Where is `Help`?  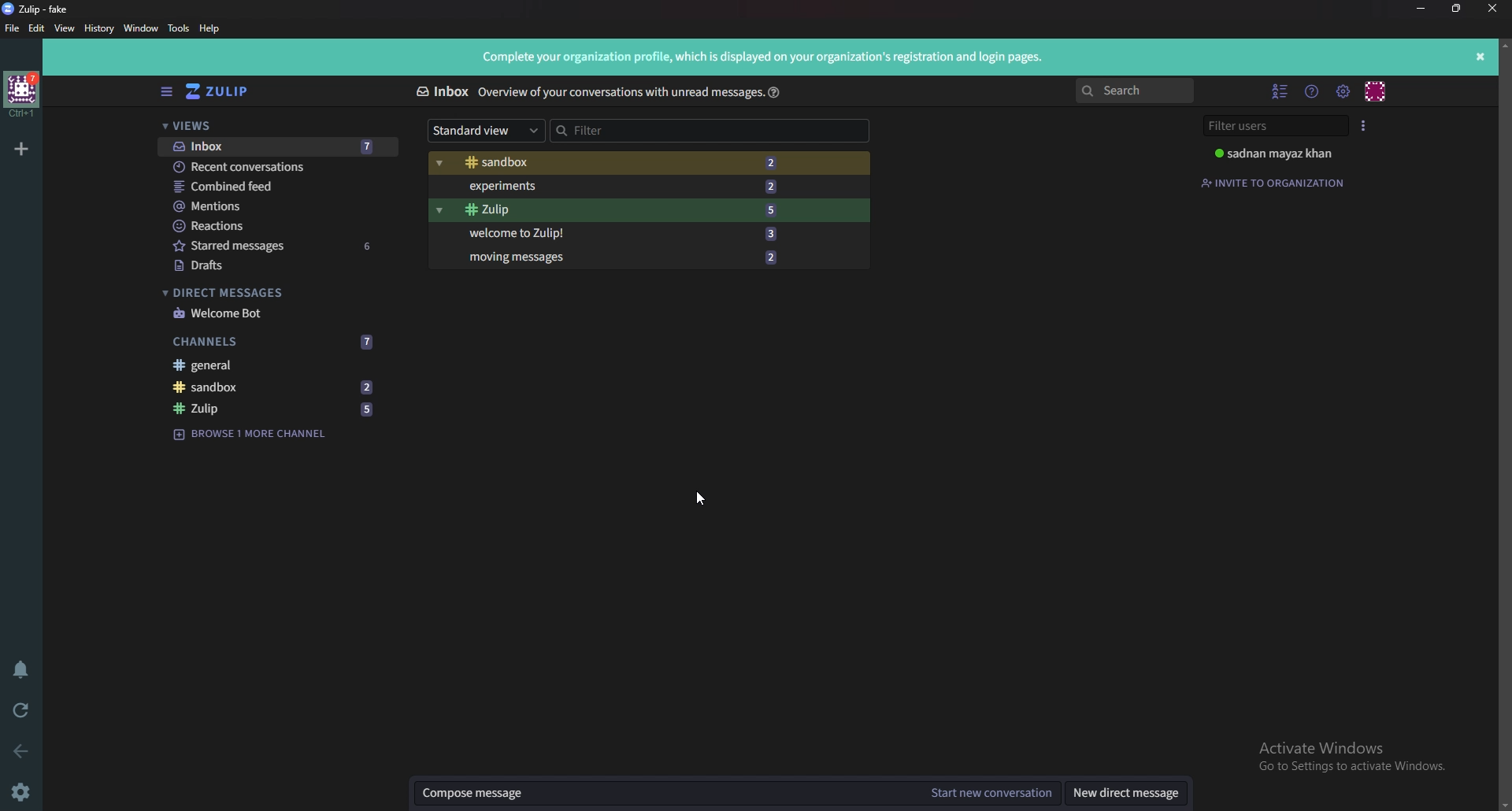 Help is located at coordinates (212, 28).